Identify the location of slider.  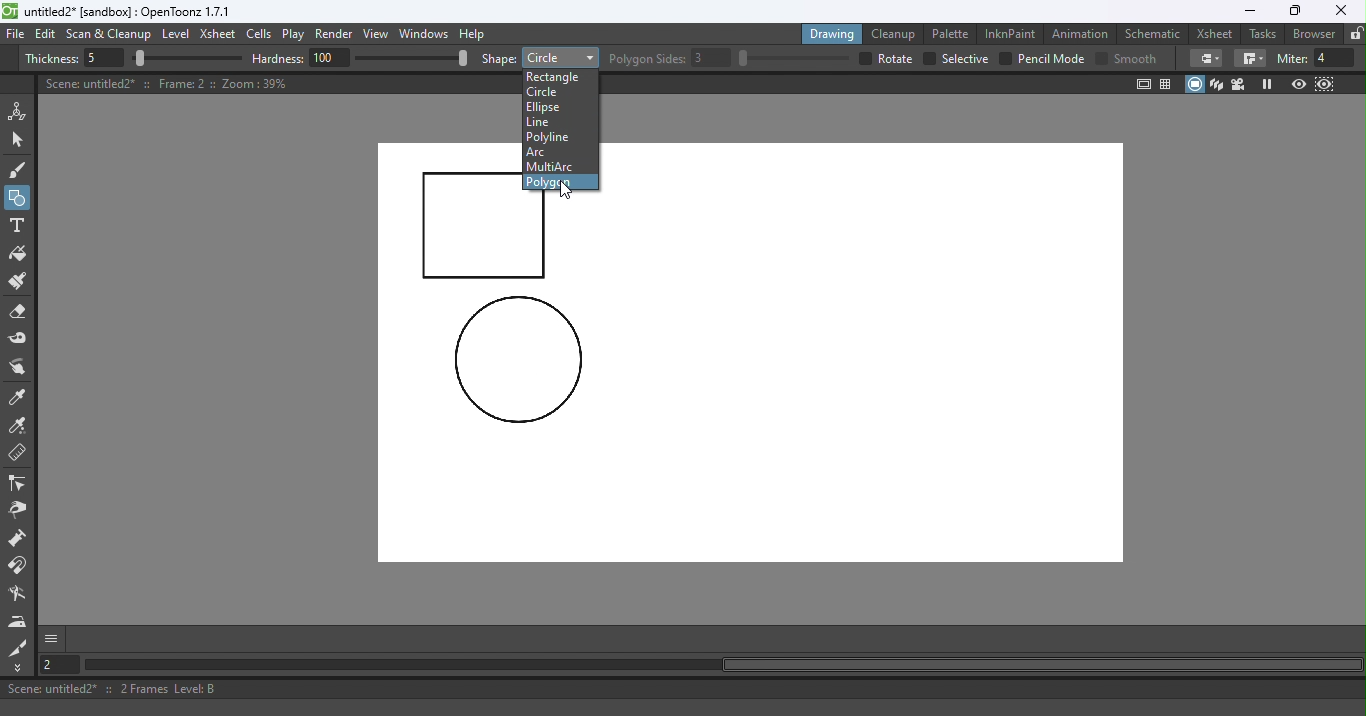
(793, 58).